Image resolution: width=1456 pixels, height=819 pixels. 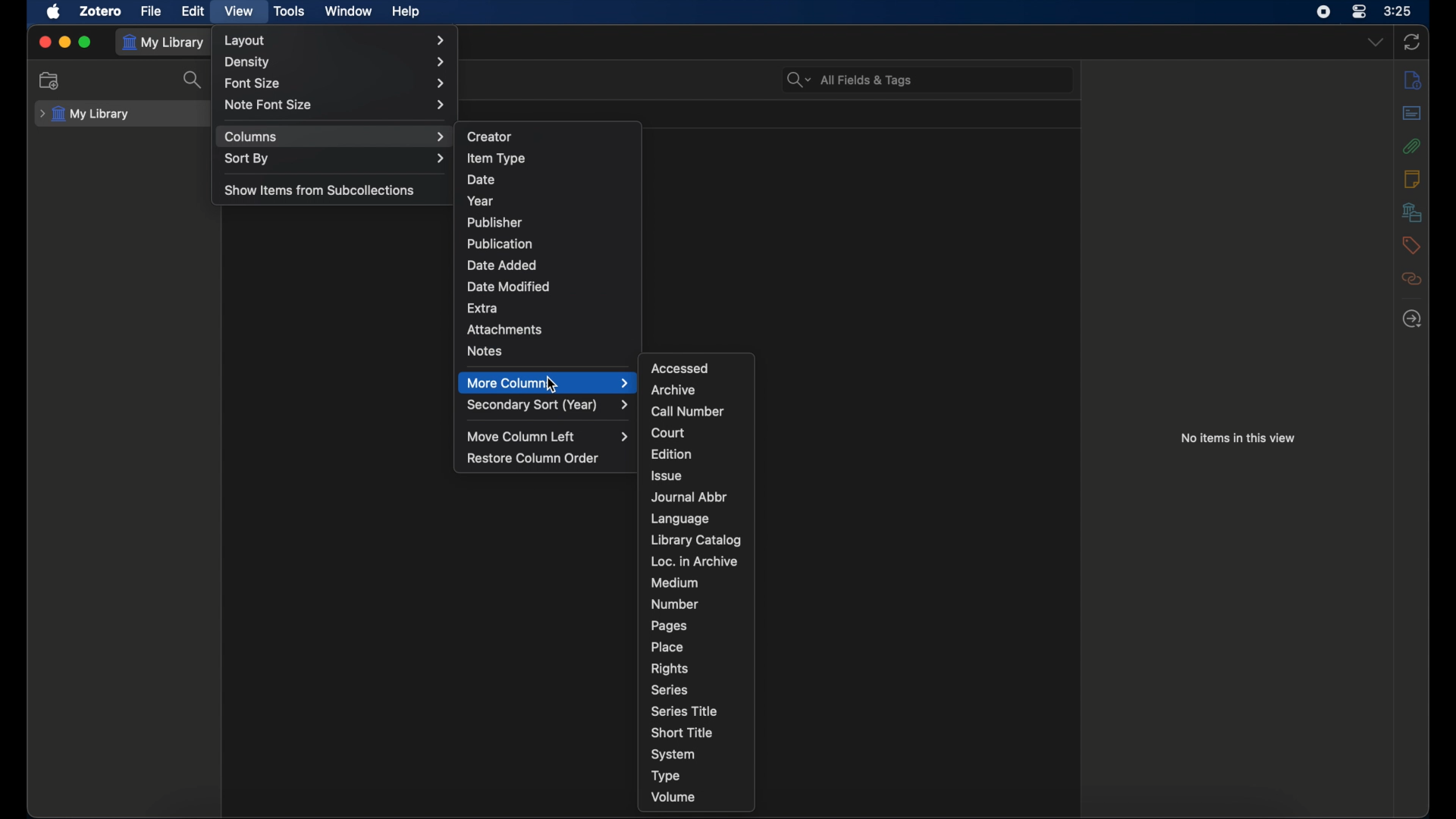 I want to click on journal abbr, so click(x=690, y=497).